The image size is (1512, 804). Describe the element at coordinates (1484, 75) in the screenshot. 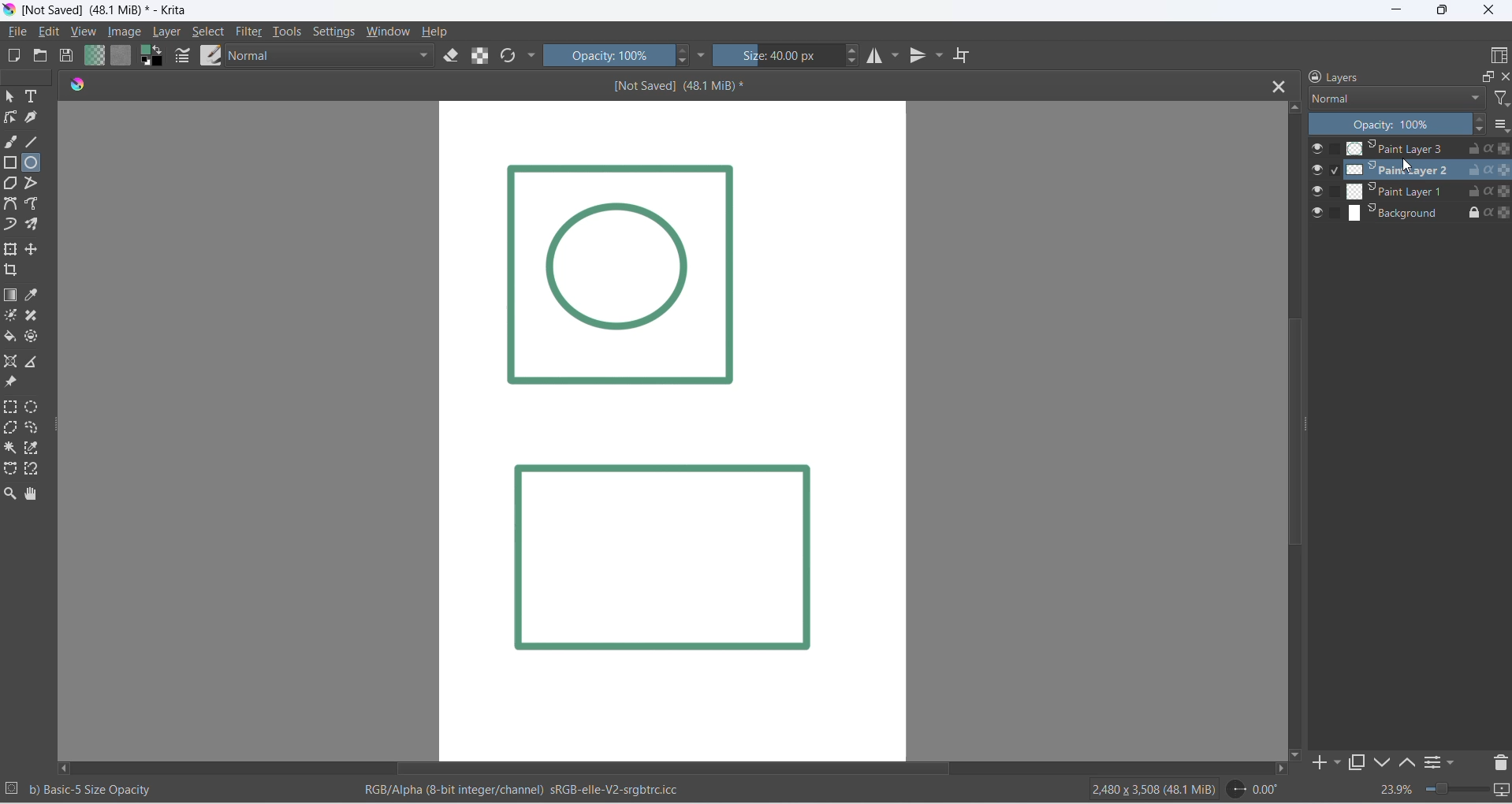

I see `maximize` at that location.